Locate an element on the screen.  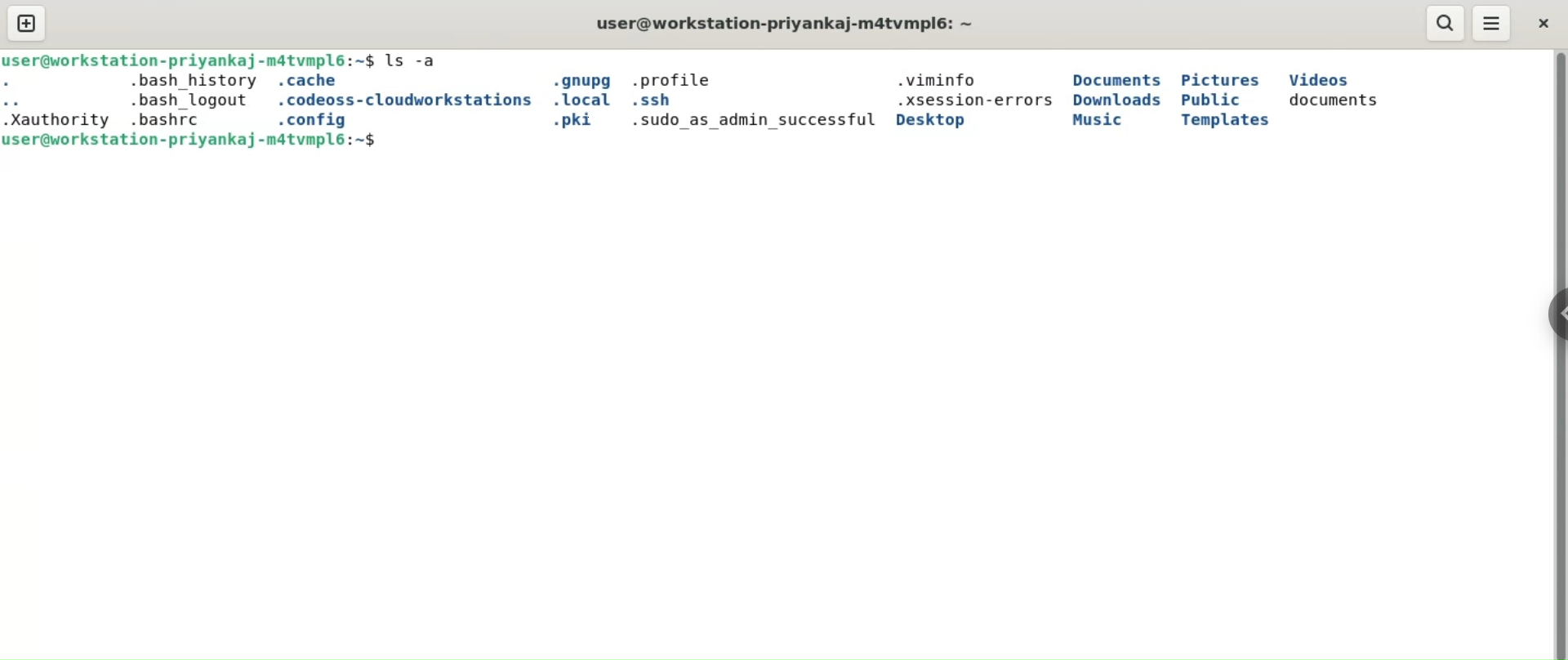
.local is located at coordinates (581, 100).